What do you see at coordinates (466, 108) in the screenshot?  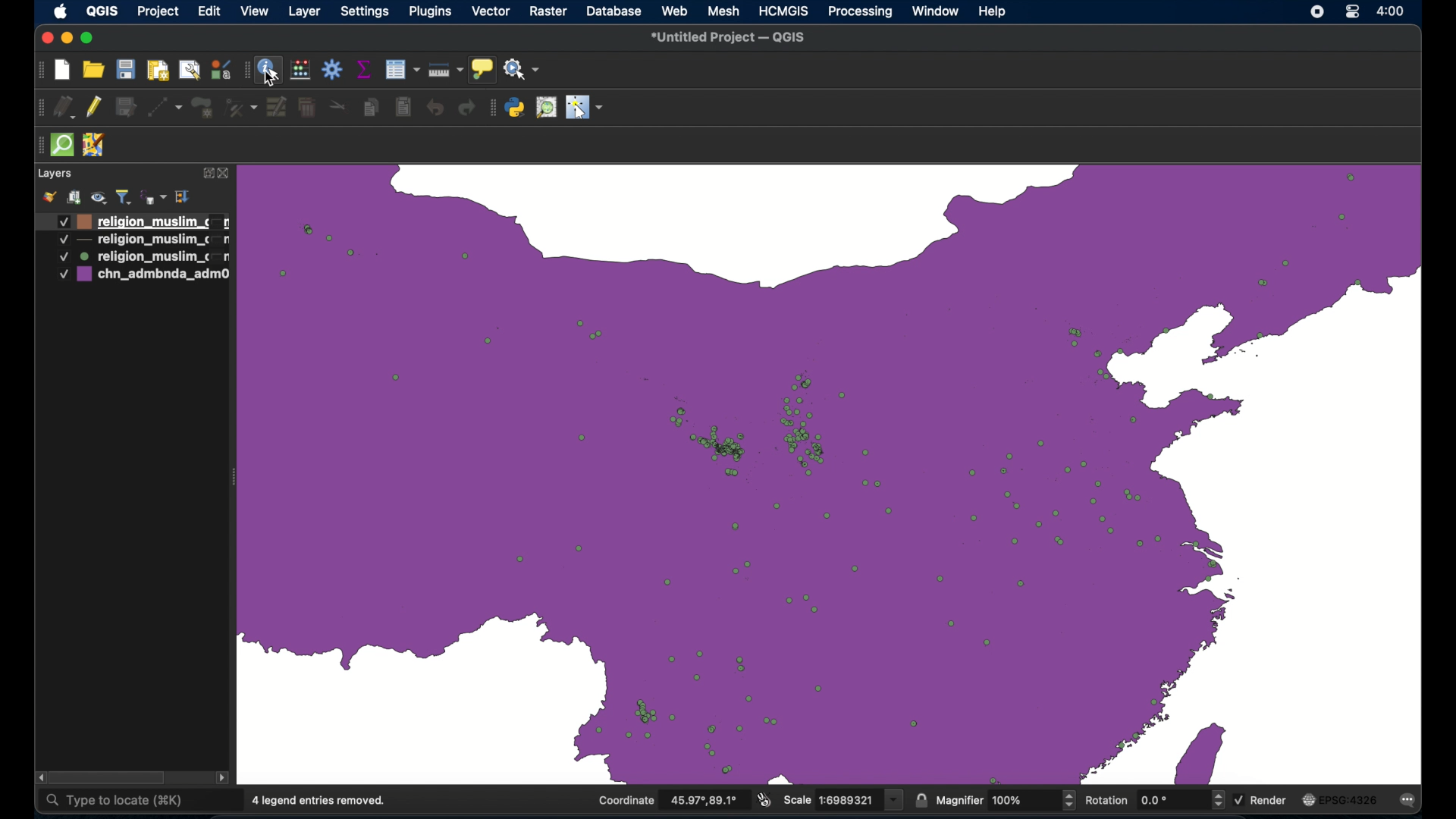 I see `redo` at bounding box center [466, 108].